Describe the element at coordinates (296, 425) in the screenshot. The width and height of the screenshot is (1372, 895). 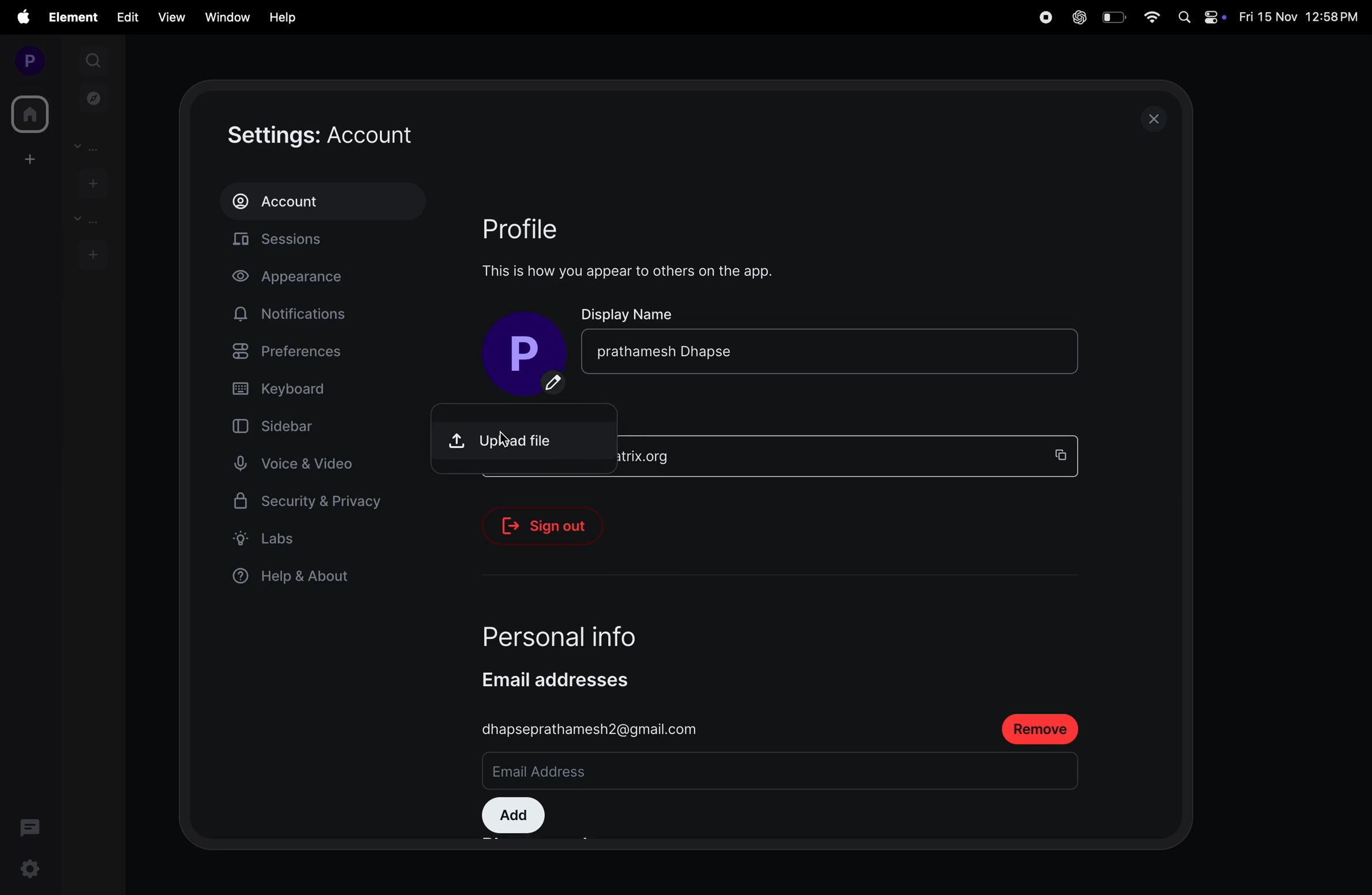
I see `sidebar` at that location.